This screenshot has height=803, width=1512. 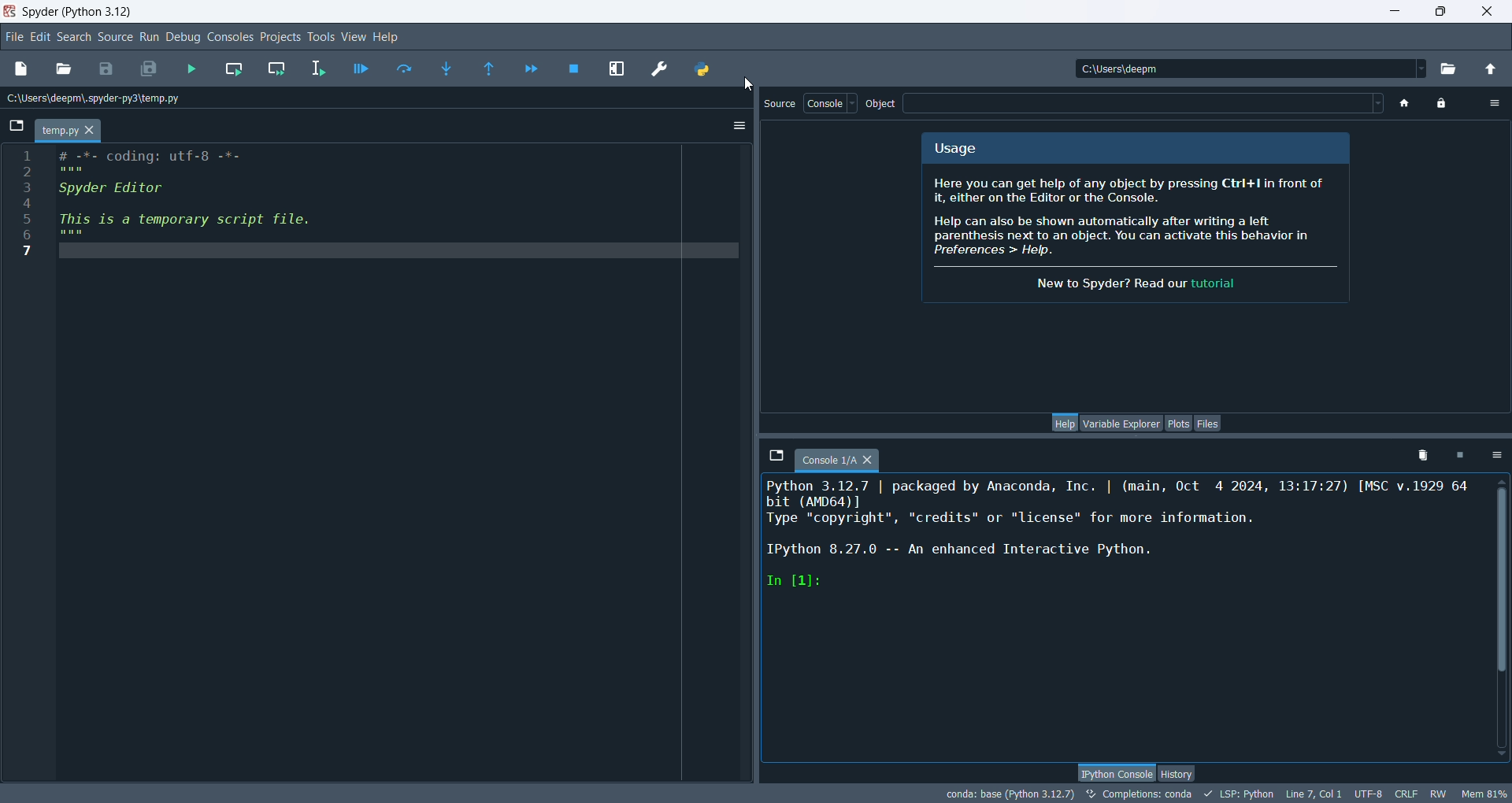 I want to click on ipython console pane text, so click(x=1117, y=534).